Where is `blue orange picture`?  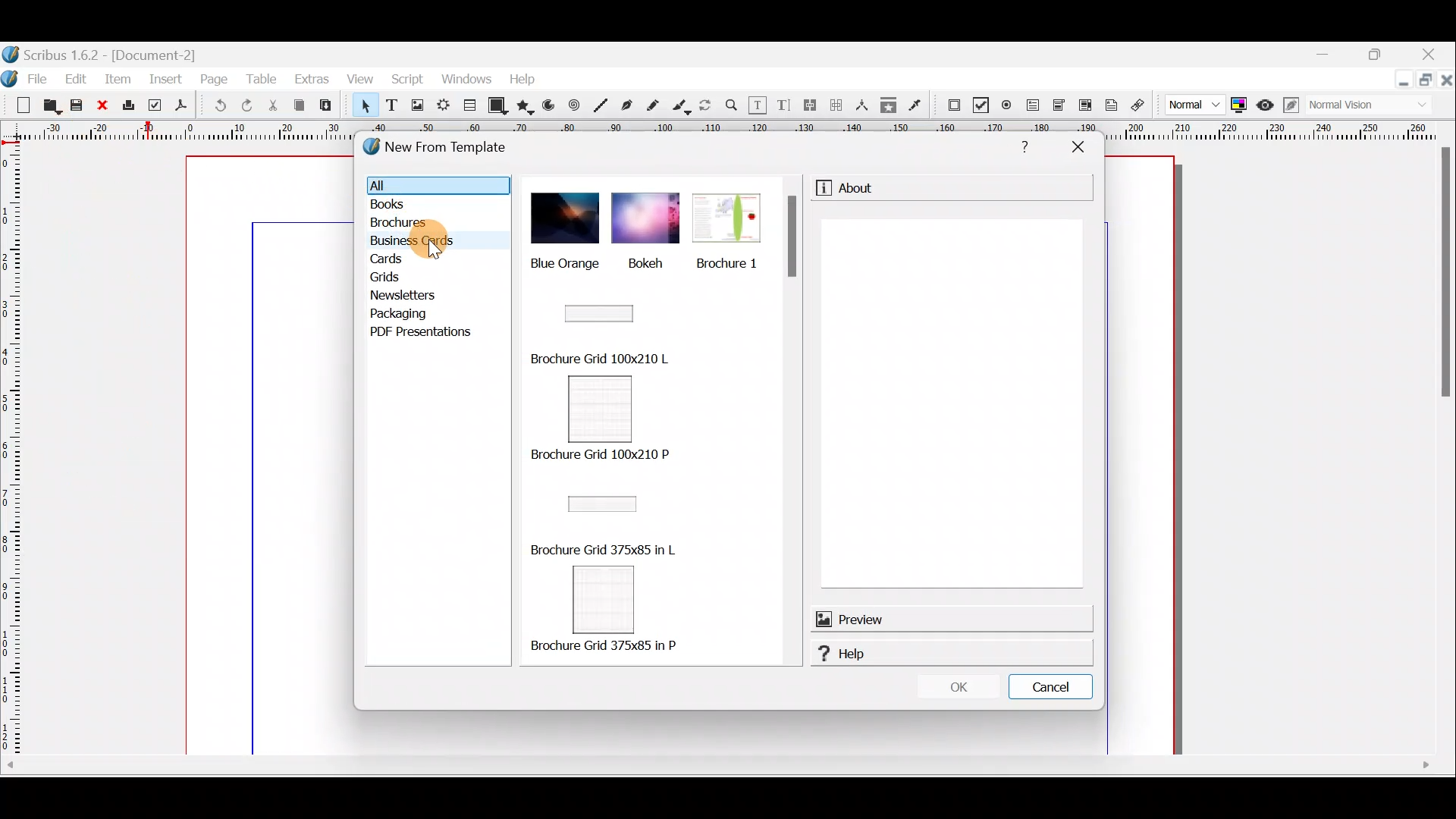 blue orange picture is located at coordinates (563, 218).